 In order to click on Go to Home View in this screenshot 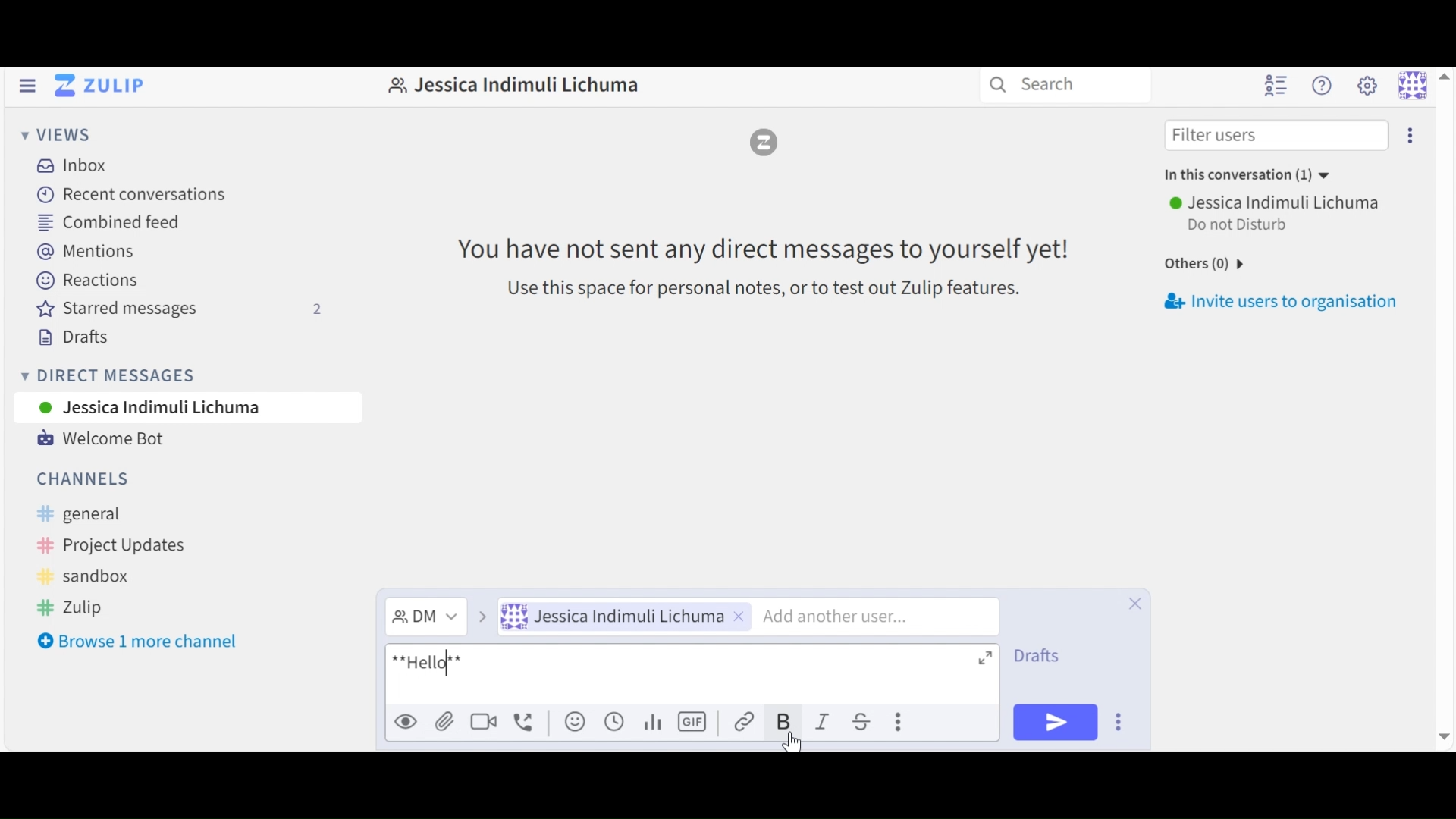, I will do `click(97, 87)`.